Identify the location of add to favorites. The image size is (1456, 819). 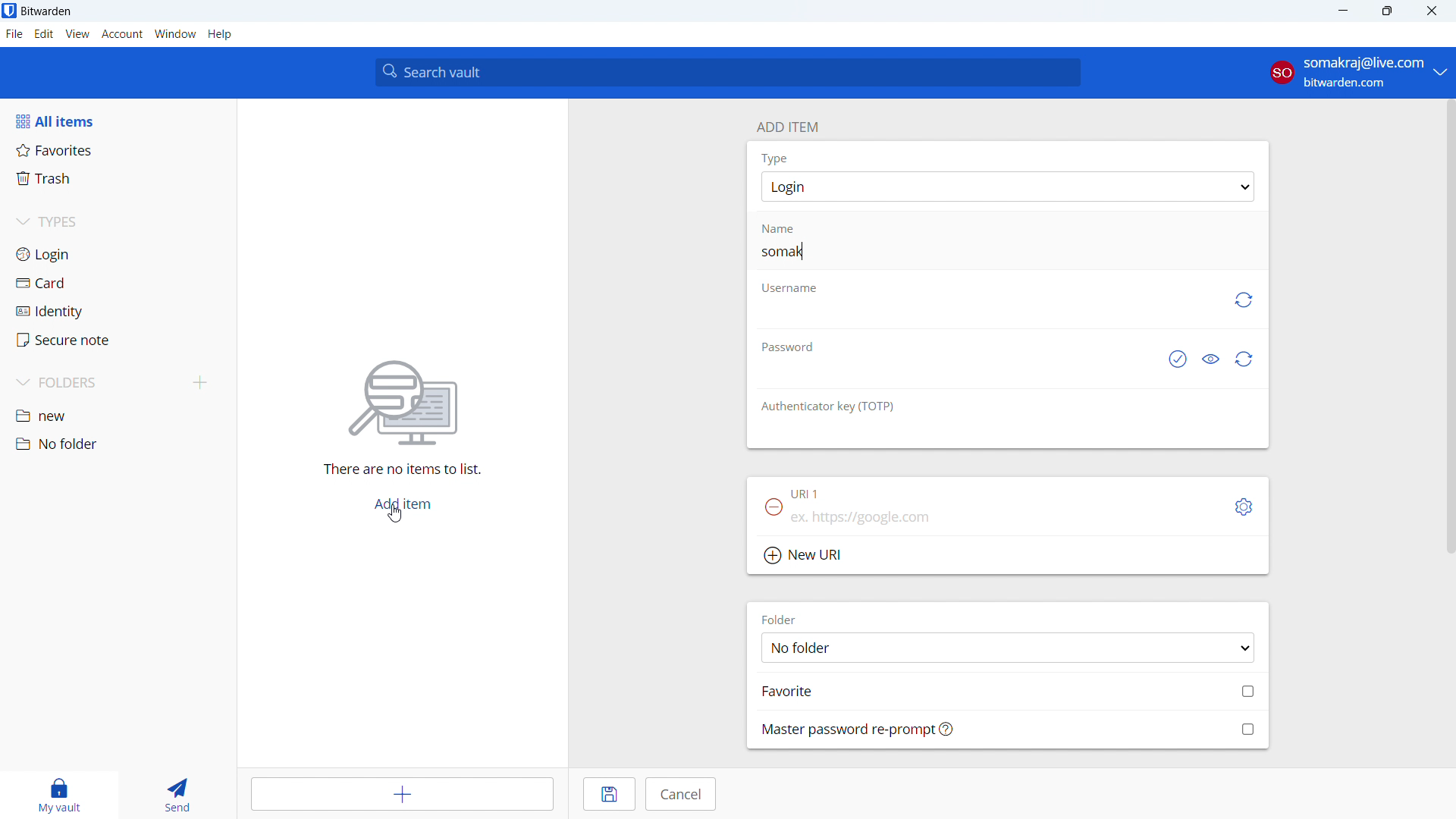
(1009, 690).